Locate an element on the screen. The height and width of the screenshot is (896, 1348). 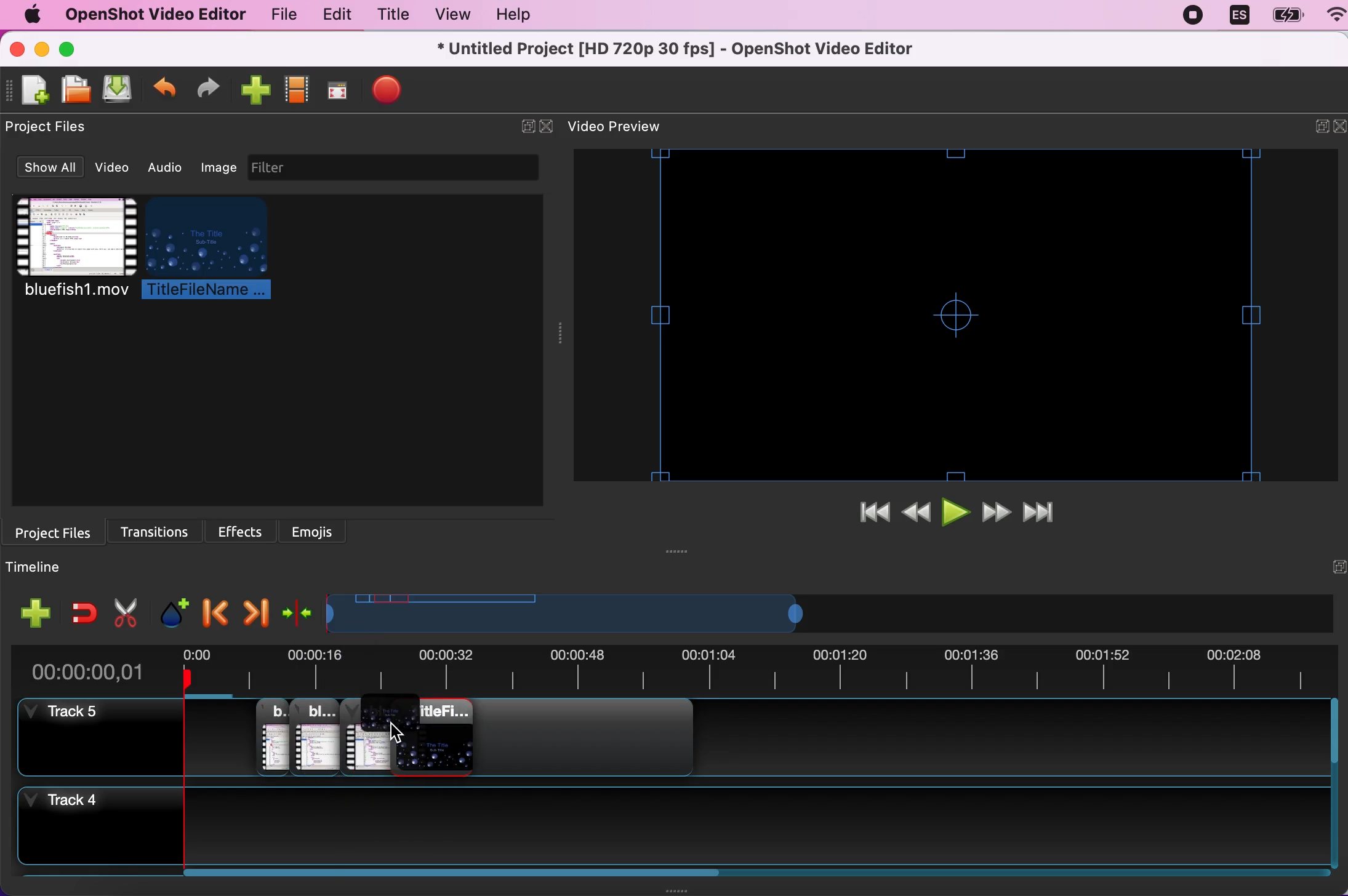
hide/expand is located at coordinates (1332, 567).